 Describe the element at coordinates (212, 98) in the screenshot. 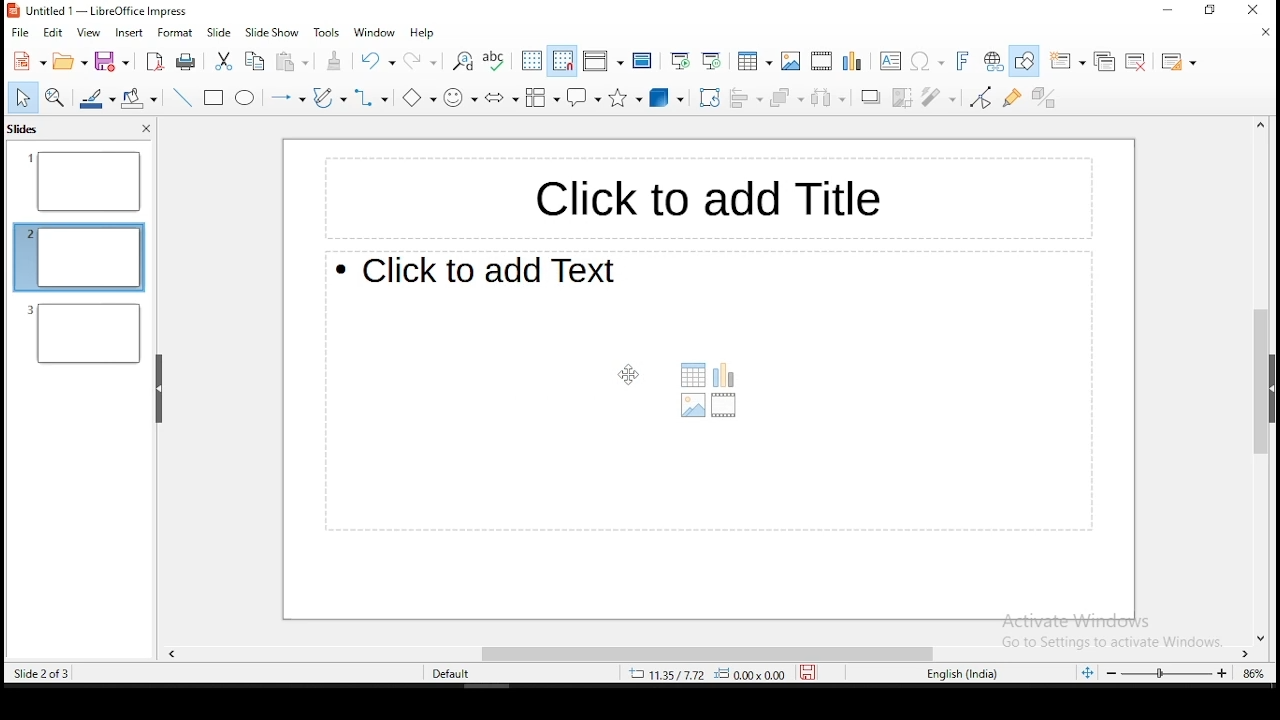

I see `rectangle tool` at that location.